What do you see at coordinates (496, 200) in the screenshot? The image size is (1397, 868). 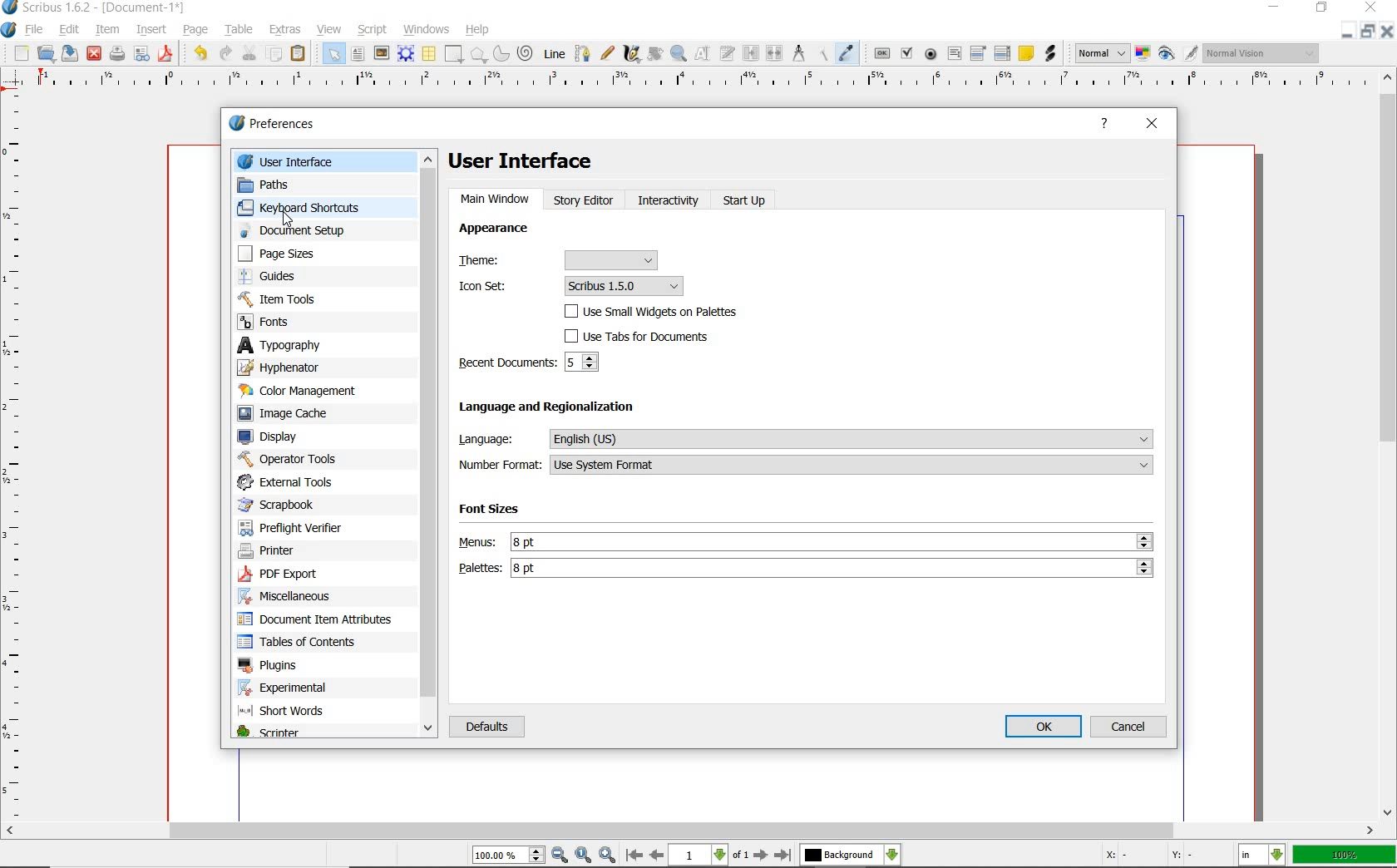 I see `main window` at bounding box center [496, 200].